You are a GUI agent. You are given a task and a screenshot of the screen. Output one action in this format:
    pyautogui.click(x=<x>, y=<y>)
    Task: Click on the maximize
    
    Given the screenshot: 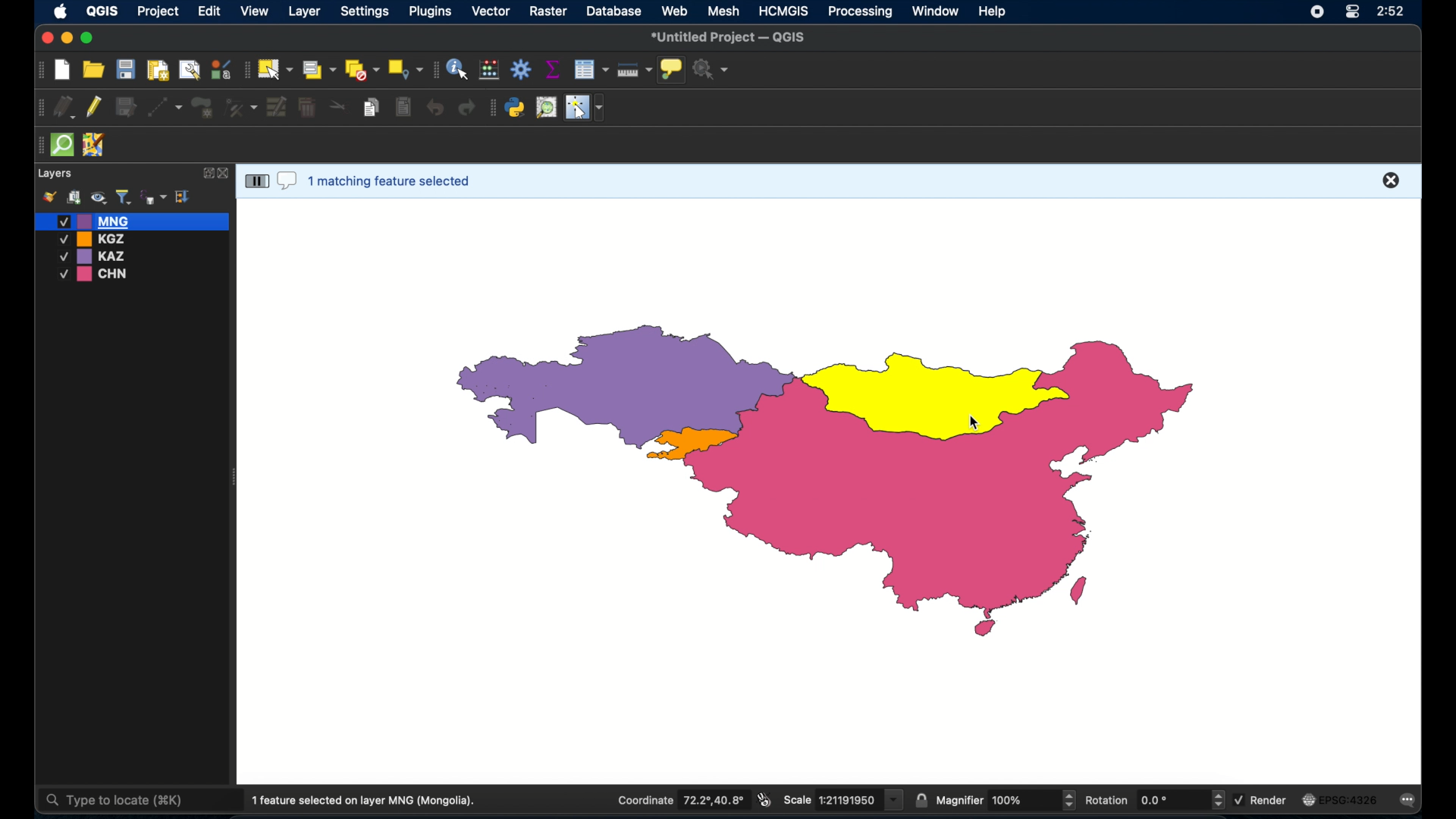 What is the action you would take?
    pyautogui.click(x=88, y=39)
    